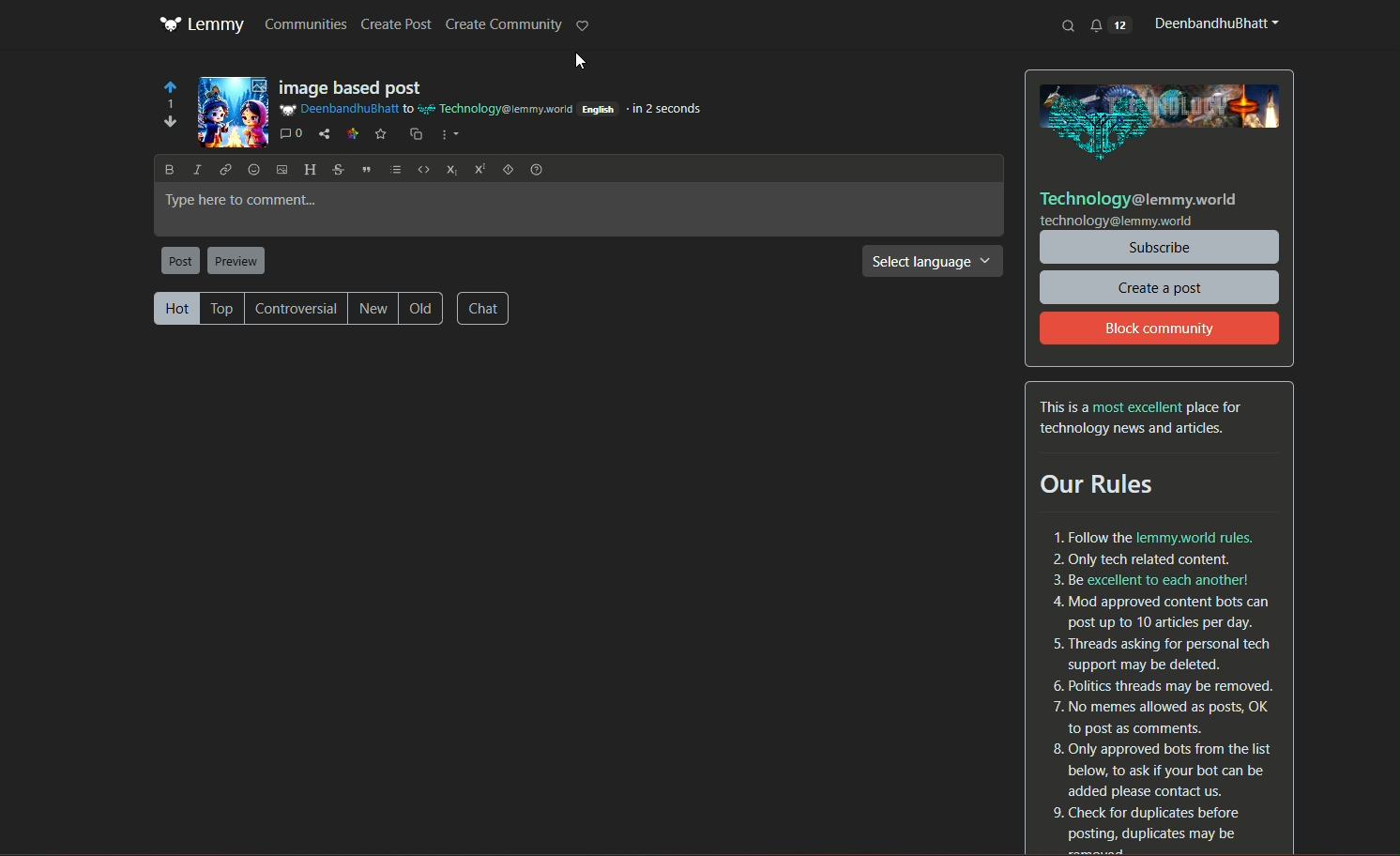  Describe the element at coordinates (309, 168) in the screenshot. I see `Header` at that location.